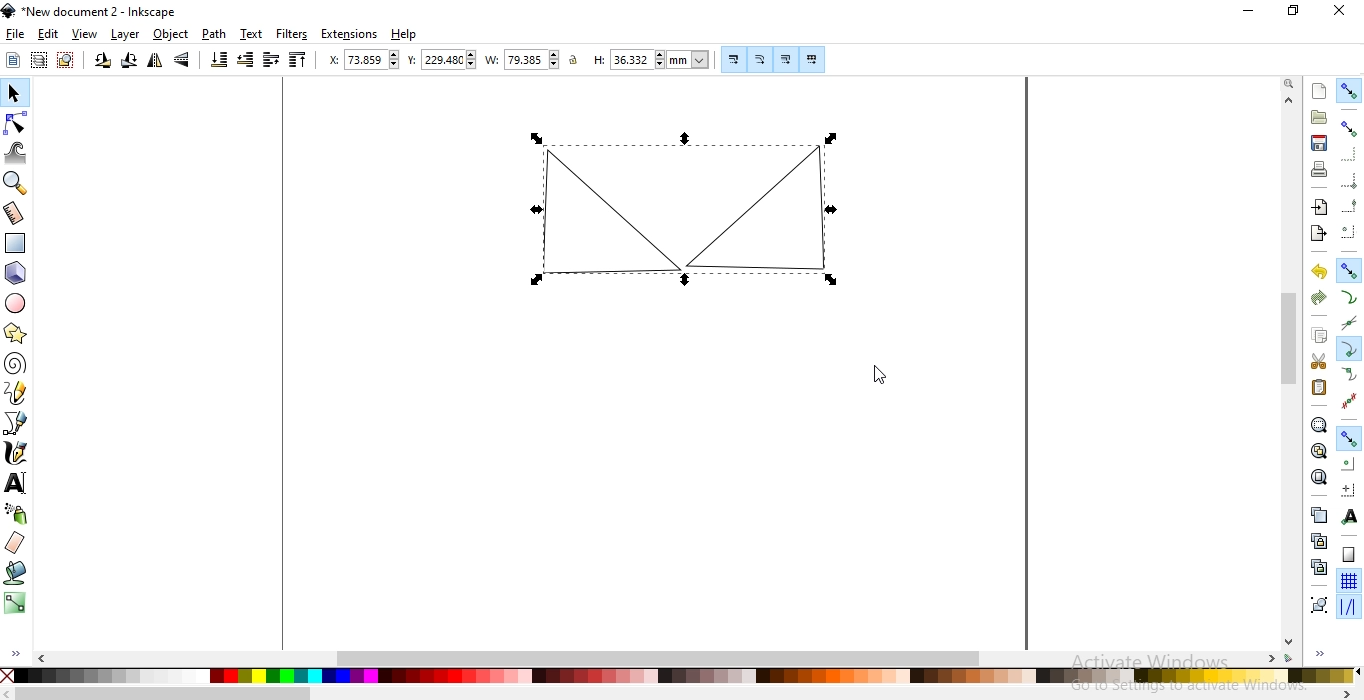 The image size is (1364, 700). Describe the element at coordinates (1320, 297) in the screenshot. I see `redo the action` at that location.